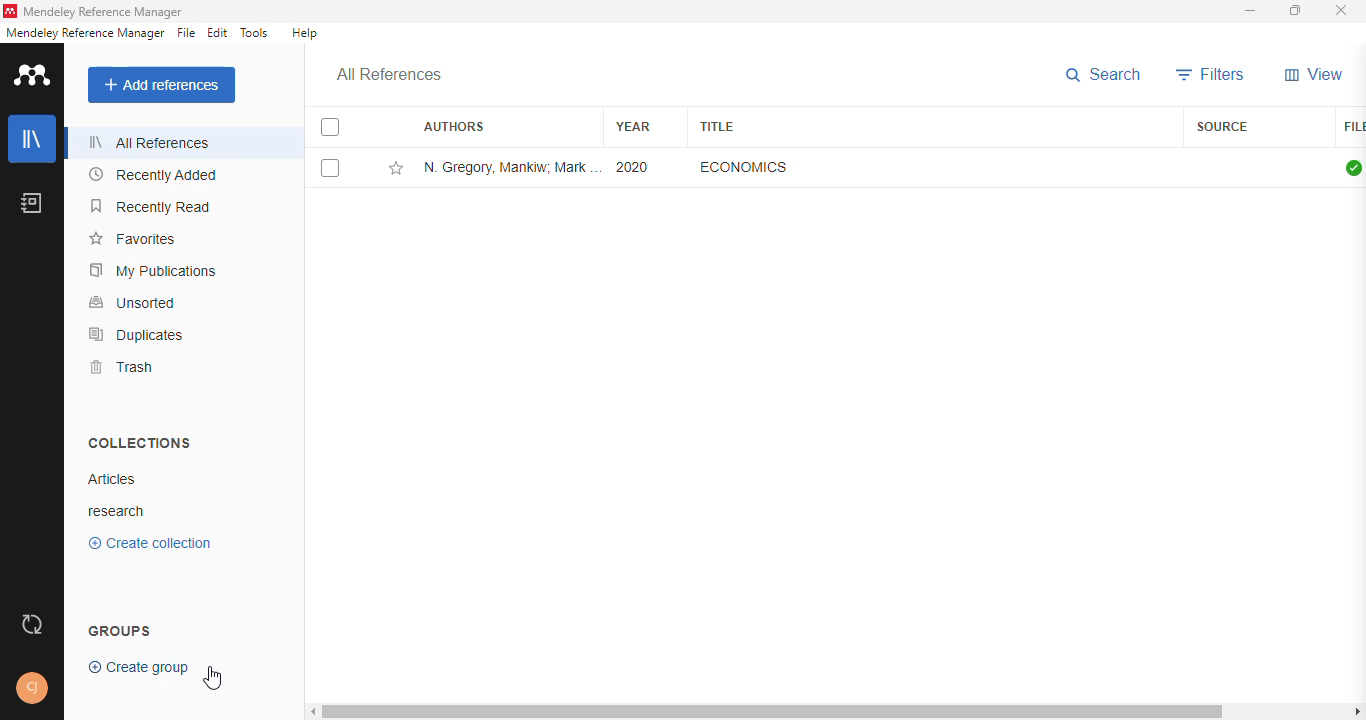 Image resolution: width=1366 pixels, height=720 pixels. I want to click on select, so click(331, 127).